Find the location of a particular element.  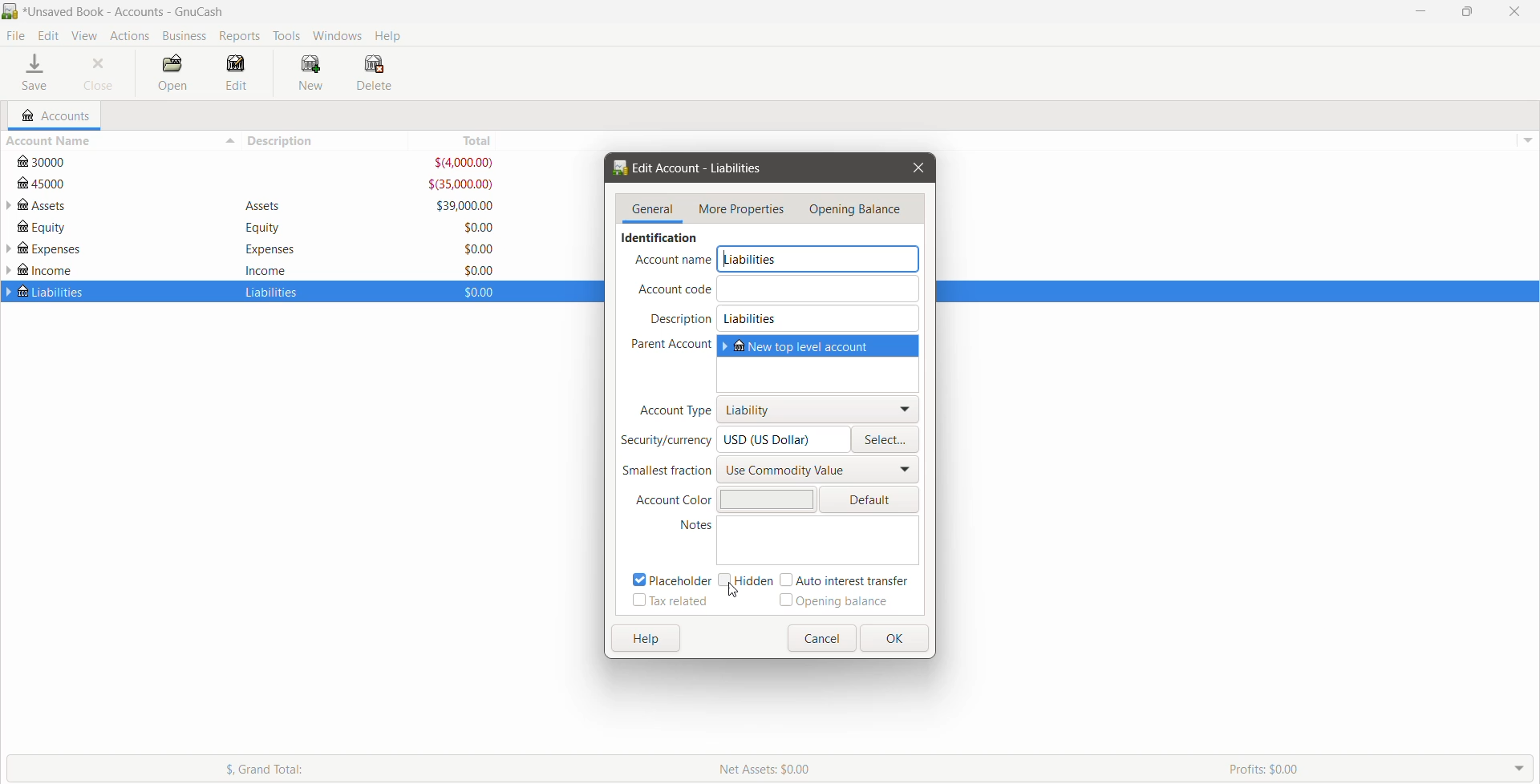

Close is located at coordinates (1512, 11).